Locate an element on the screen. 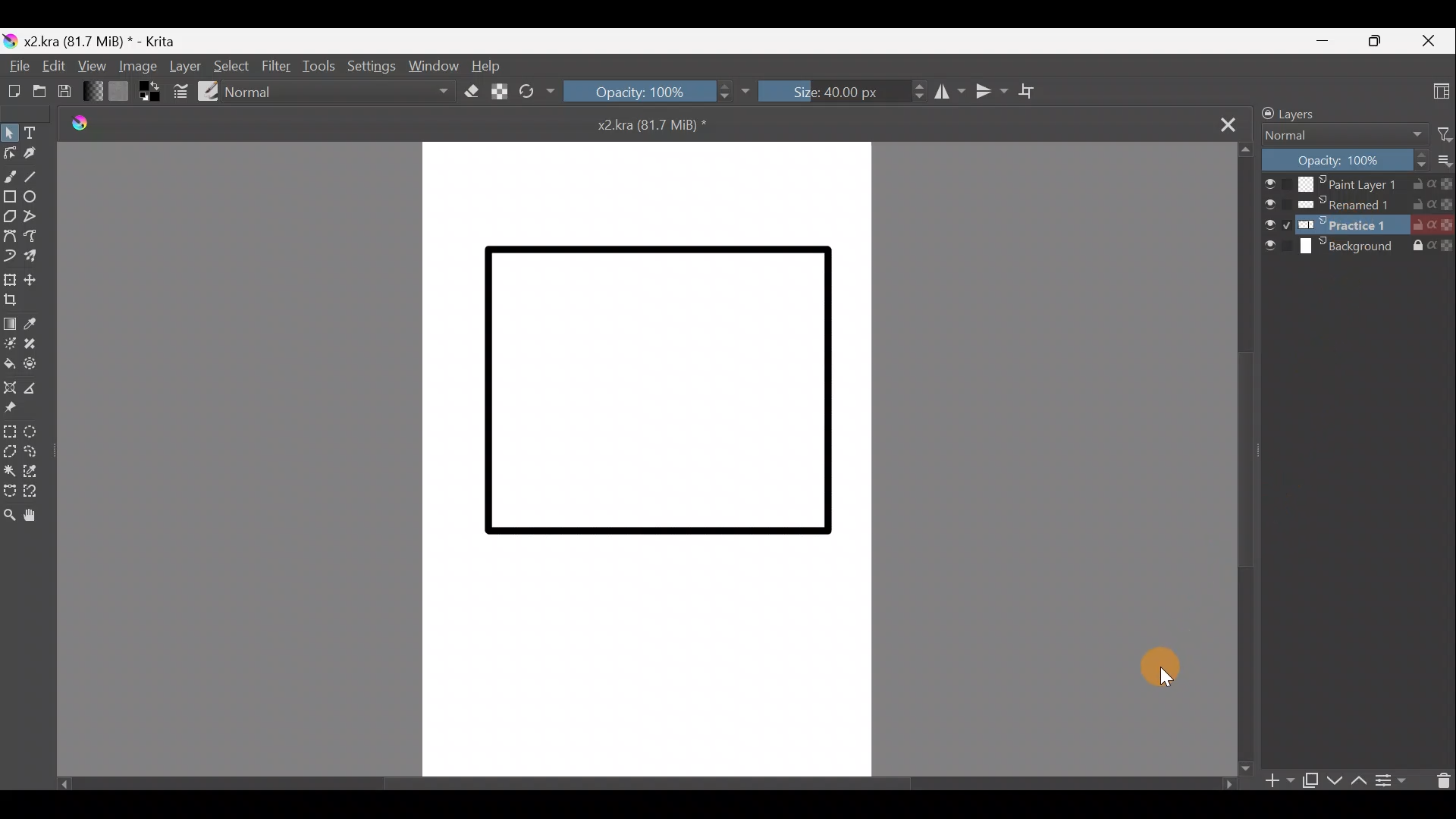 This screenshot has width=1456, height=819. View/change layer properties is located at coordinates (1395, 779).